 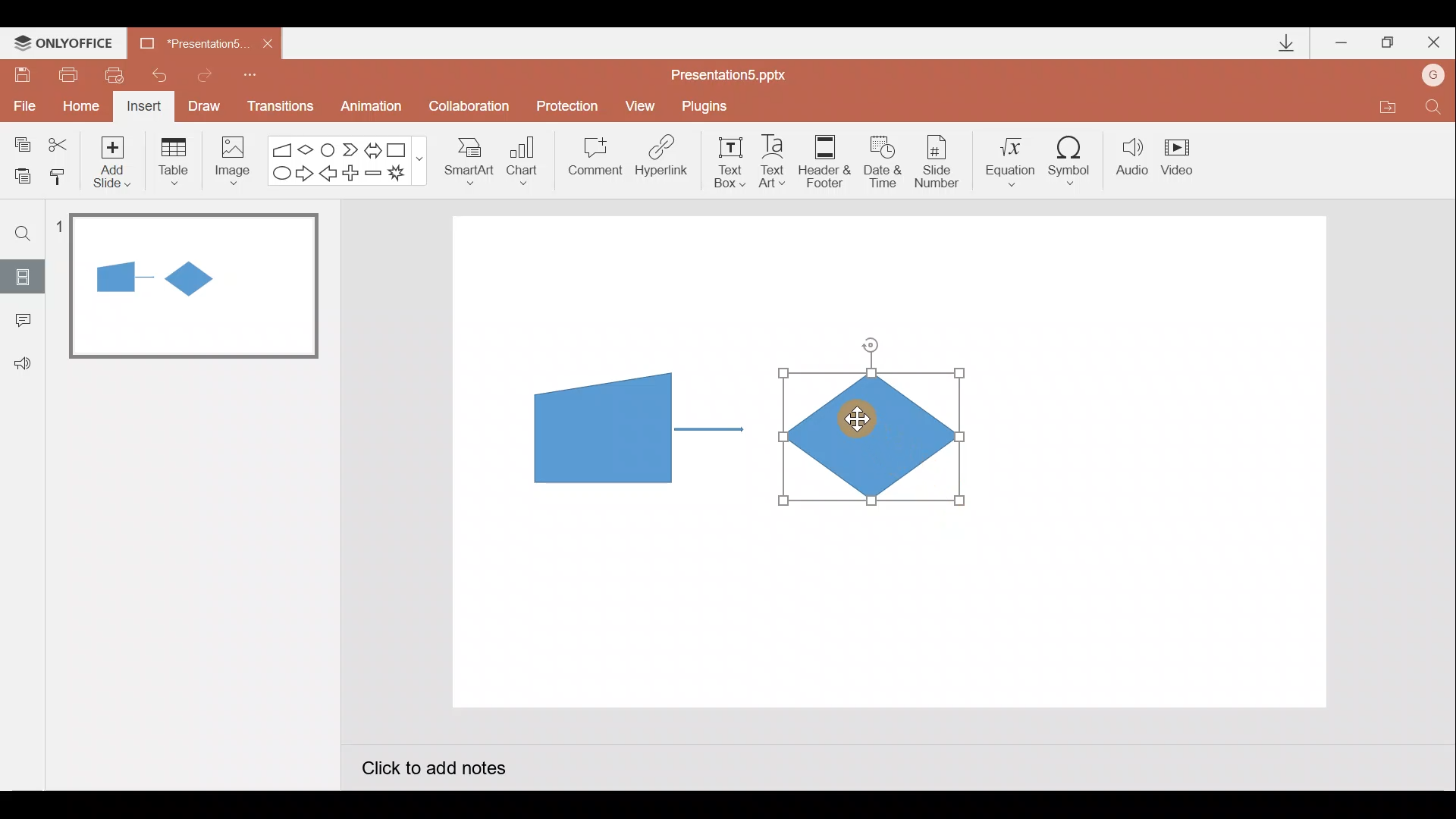 What do you see at coordinates (600, 426) in the screenshot?
I see `Manual input flow chart ` at bounding box center [600, 426].